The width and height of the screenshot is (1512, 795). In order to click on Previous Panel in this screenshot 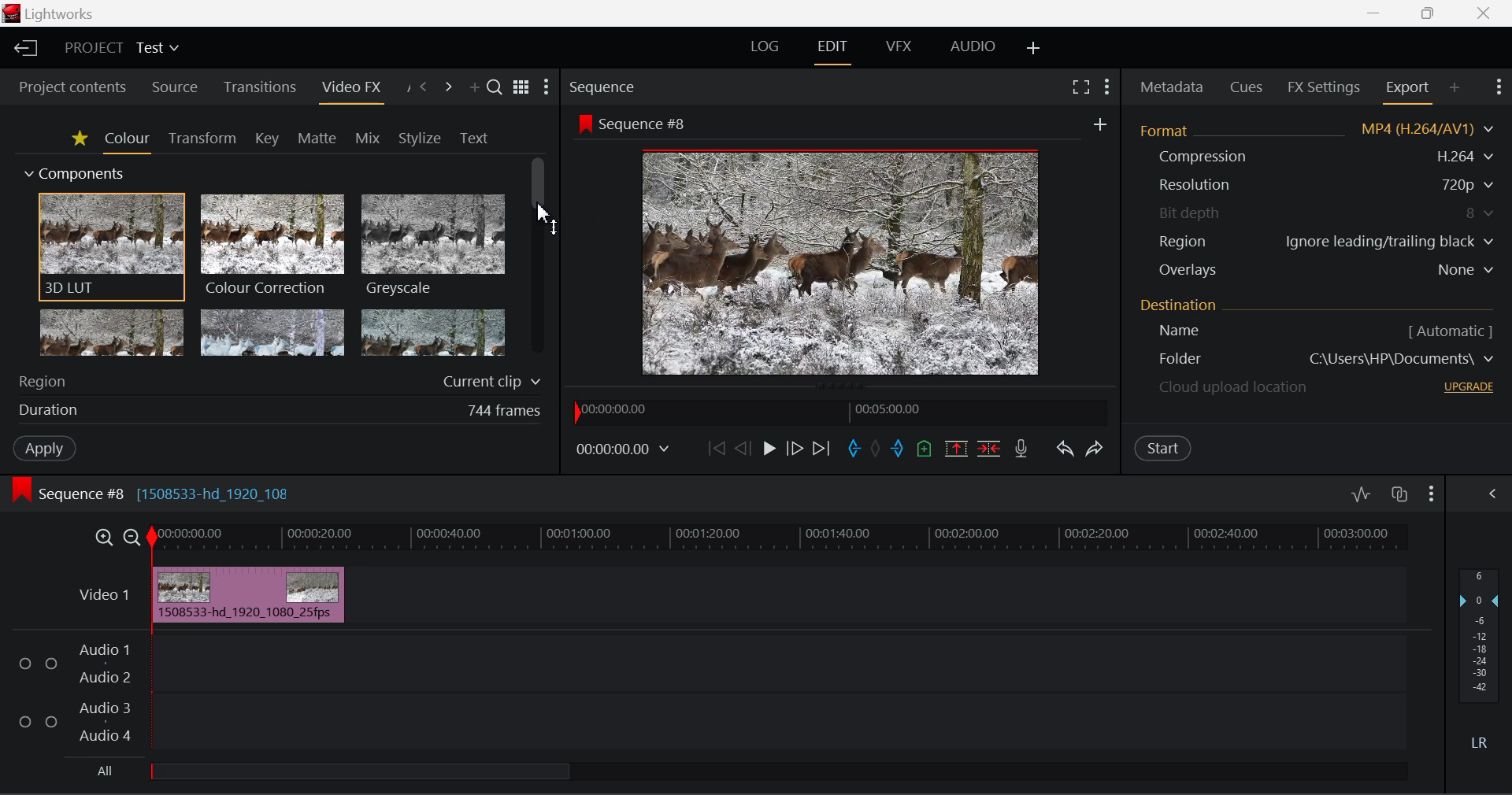, I will do `click(425, 89)`.